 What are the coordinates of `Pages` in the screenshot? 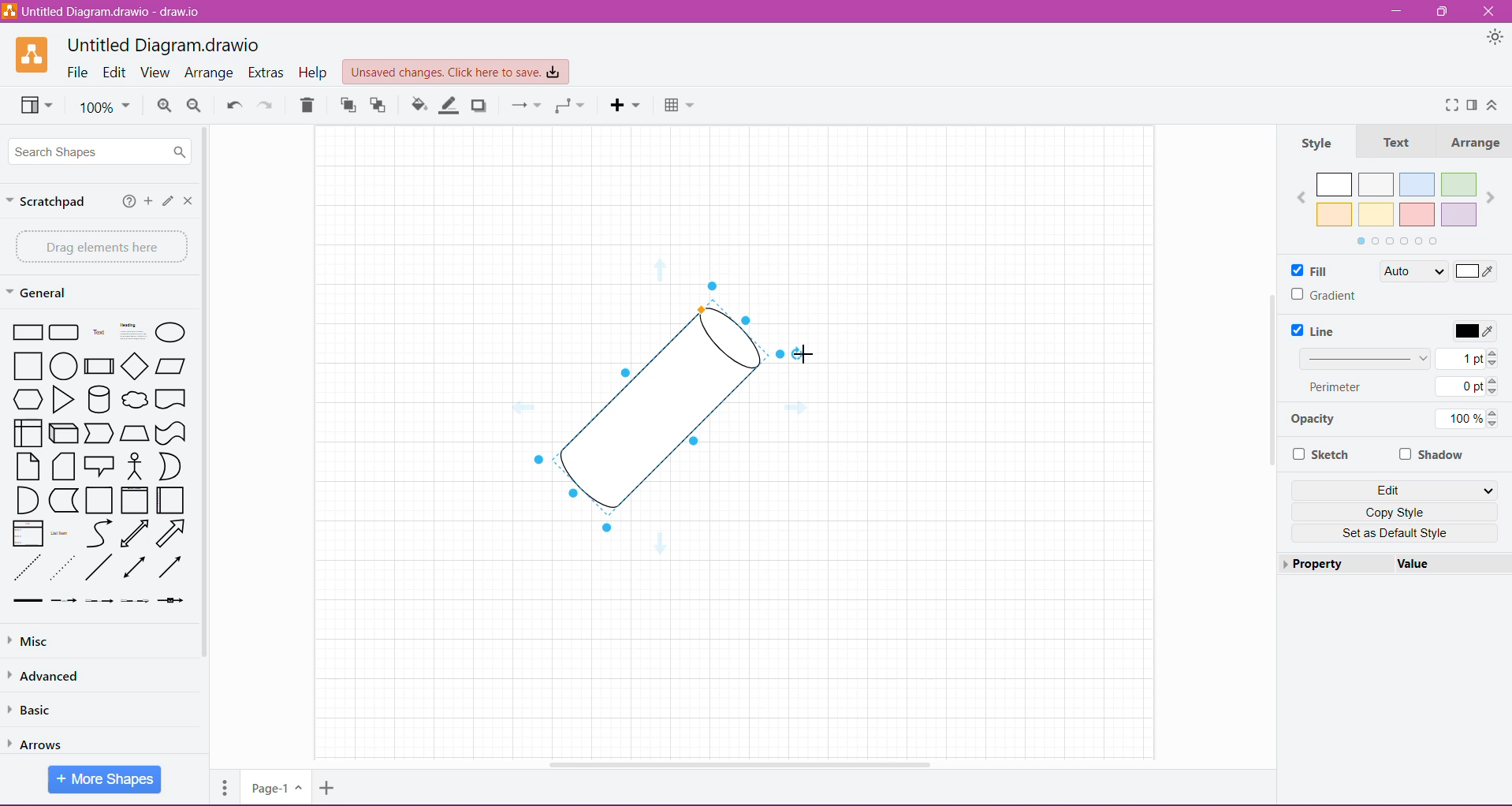 It's located at (223, 791).